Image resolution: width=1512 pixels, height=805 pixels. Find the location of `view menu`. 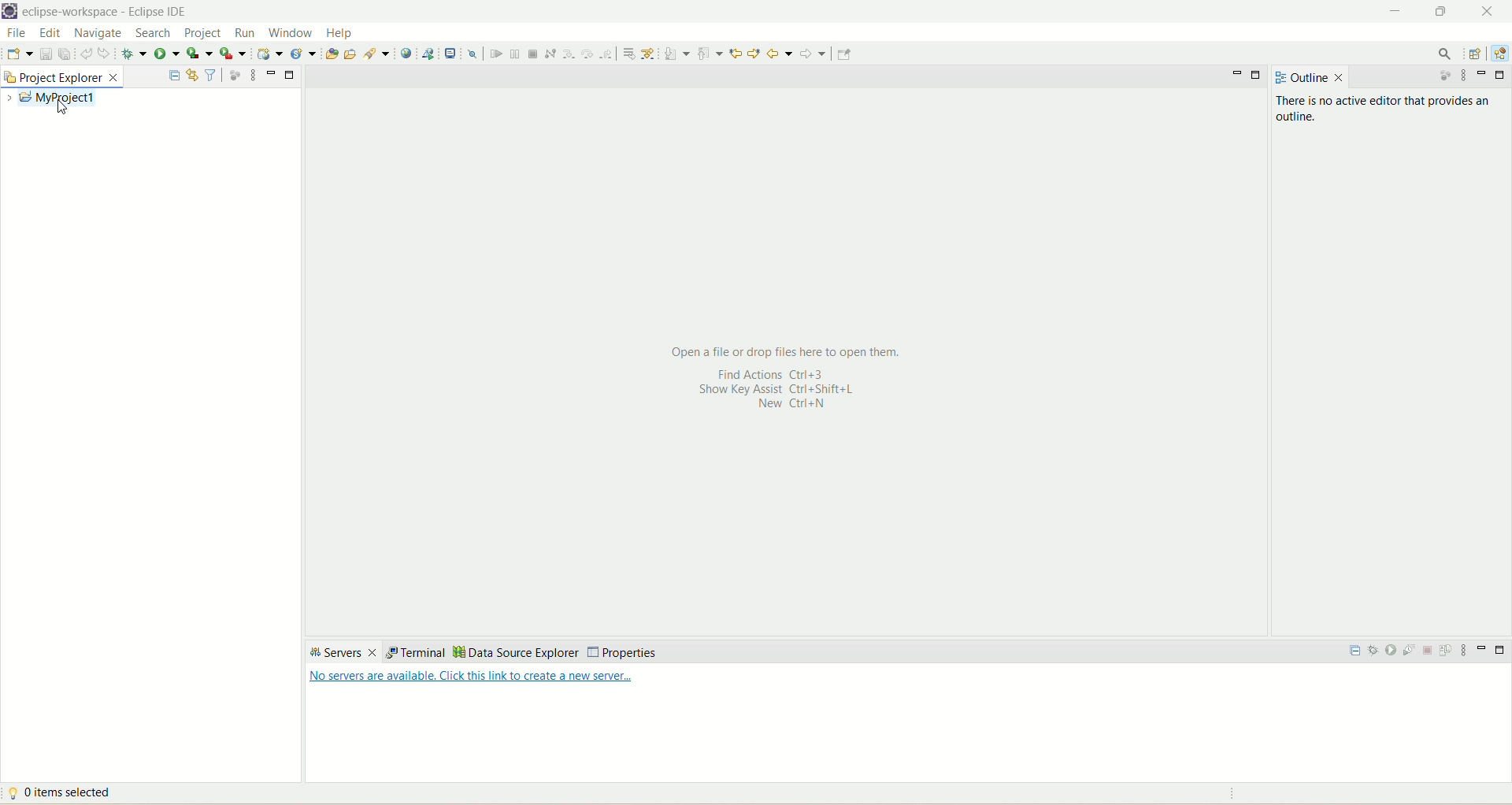

view menu is located at coordinates (1467, 651).